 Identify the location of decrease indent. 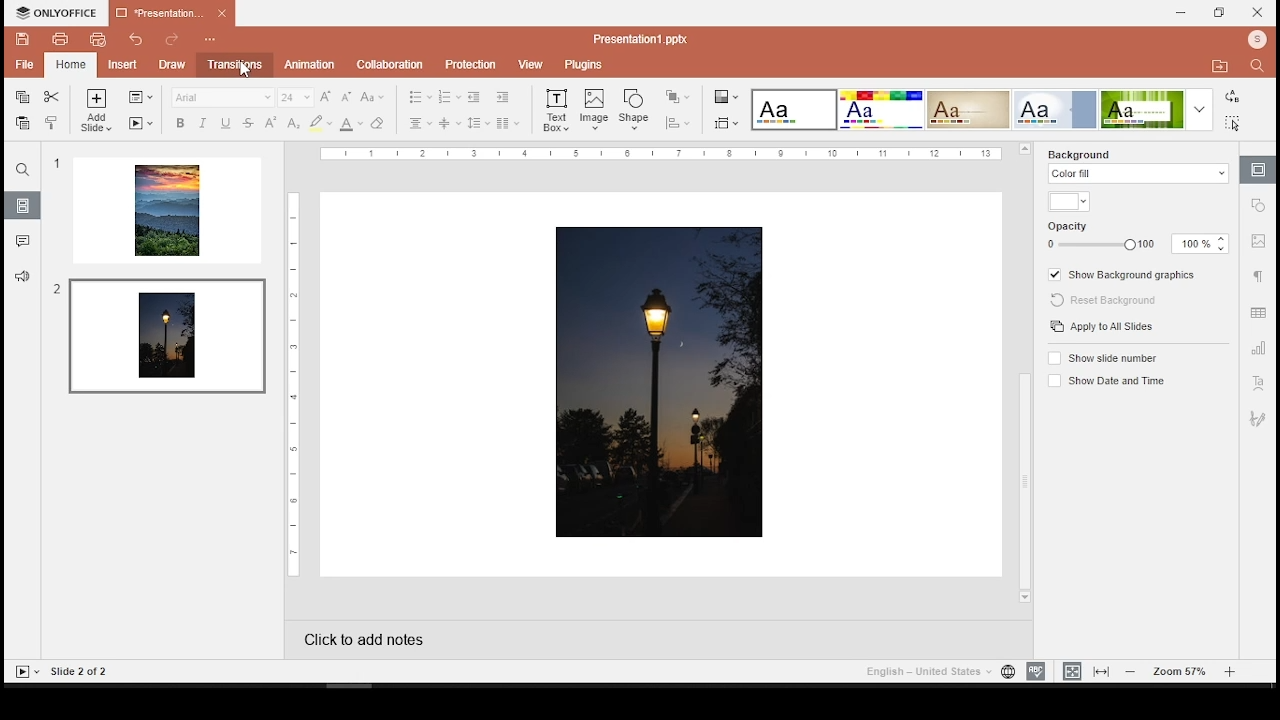
(473, 99).